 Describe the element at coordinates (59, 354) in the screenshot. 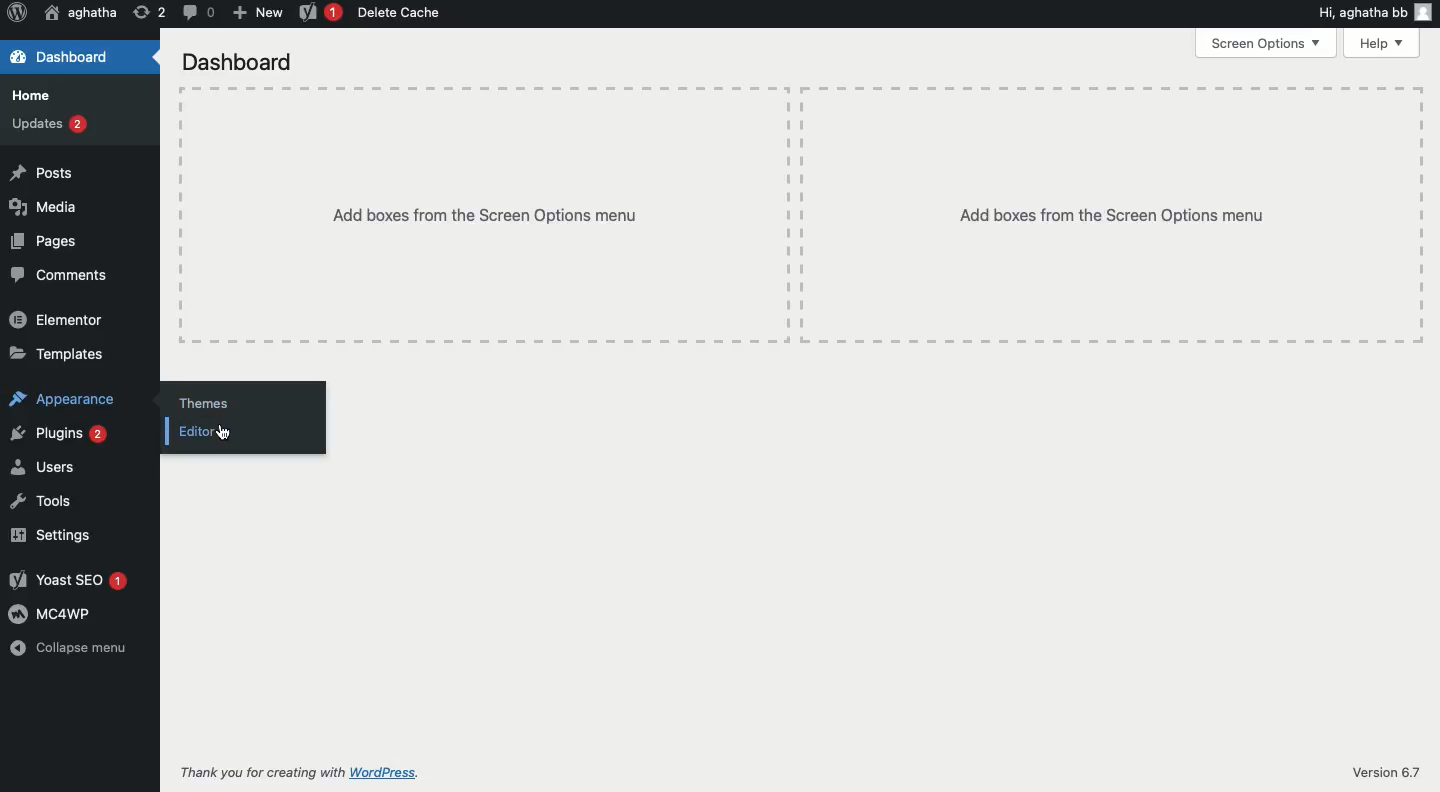

I see `Templates` at that location.